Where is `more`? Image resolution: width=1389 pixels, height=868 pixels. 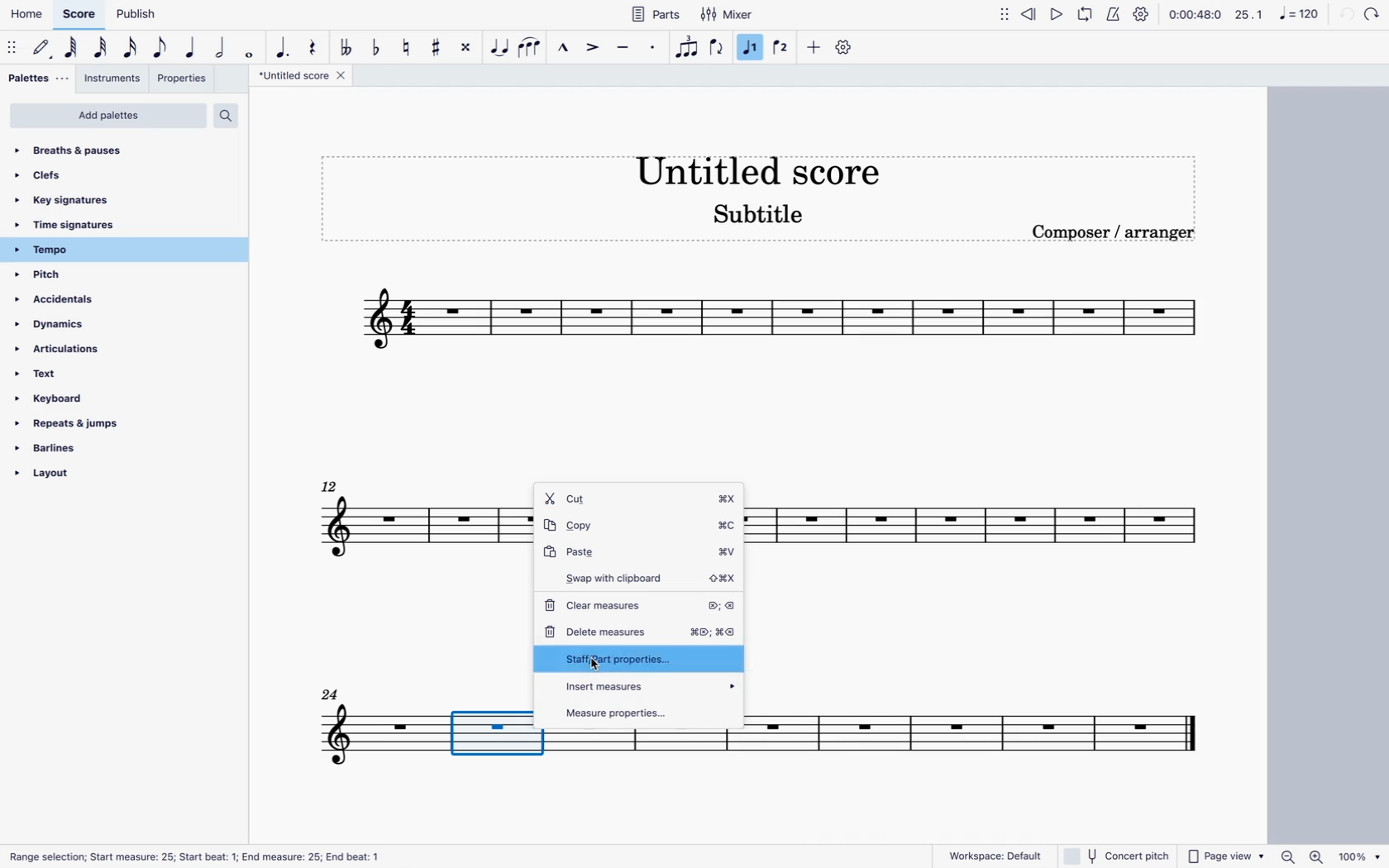
more is located at coordinates (815, 48).